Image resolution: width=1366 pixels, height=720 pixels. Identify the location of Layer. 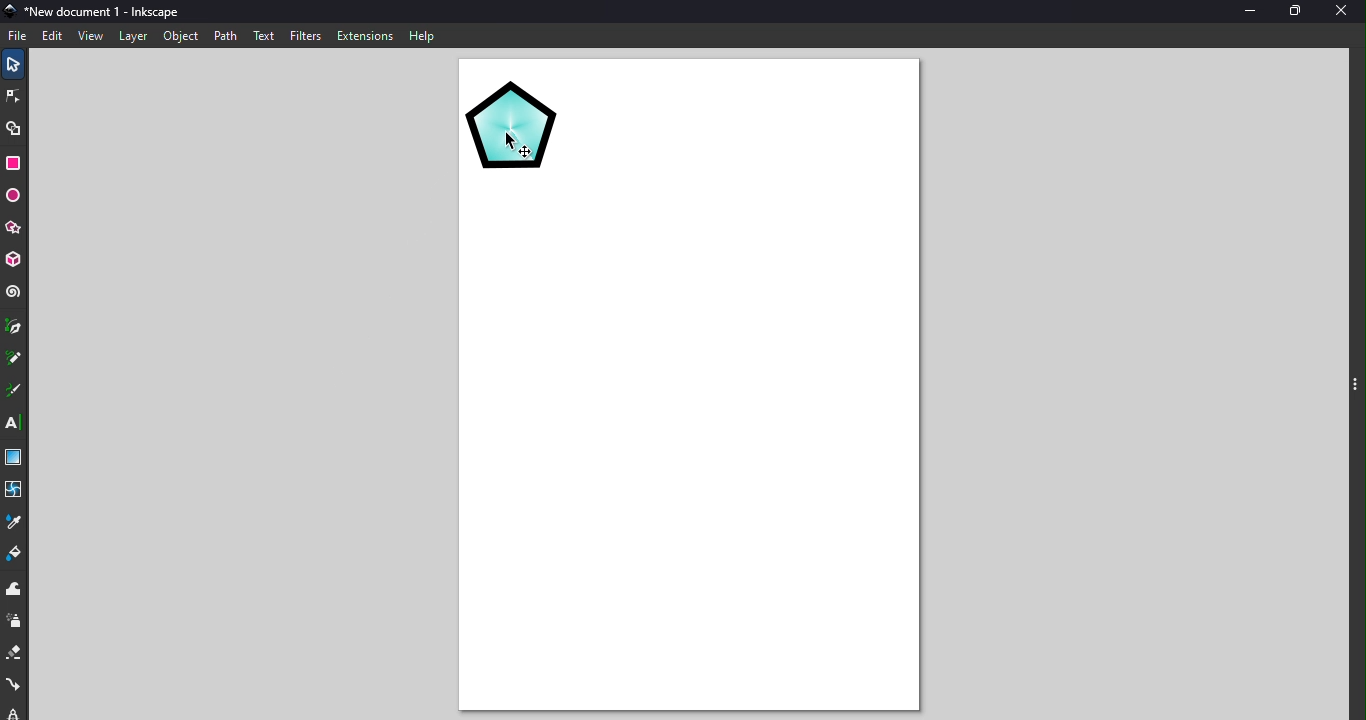
(132, 35).